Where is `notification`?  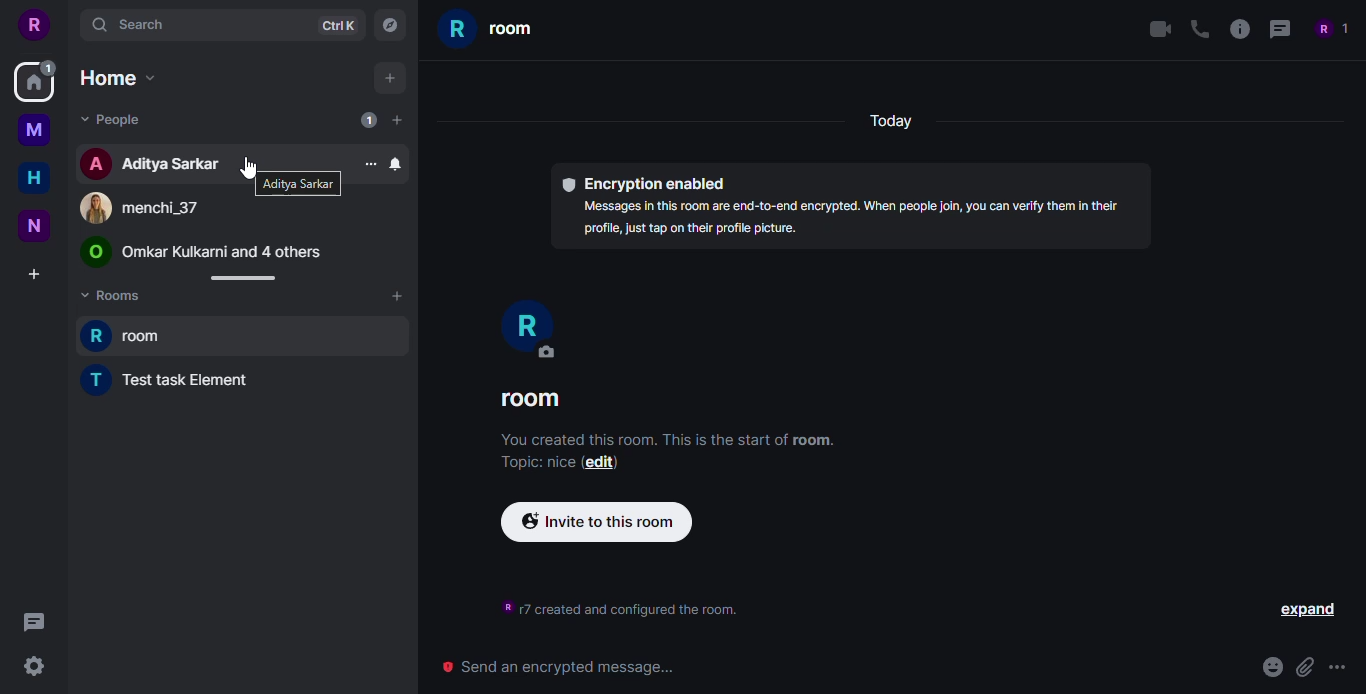
notification is located at coordinates (395, 163).